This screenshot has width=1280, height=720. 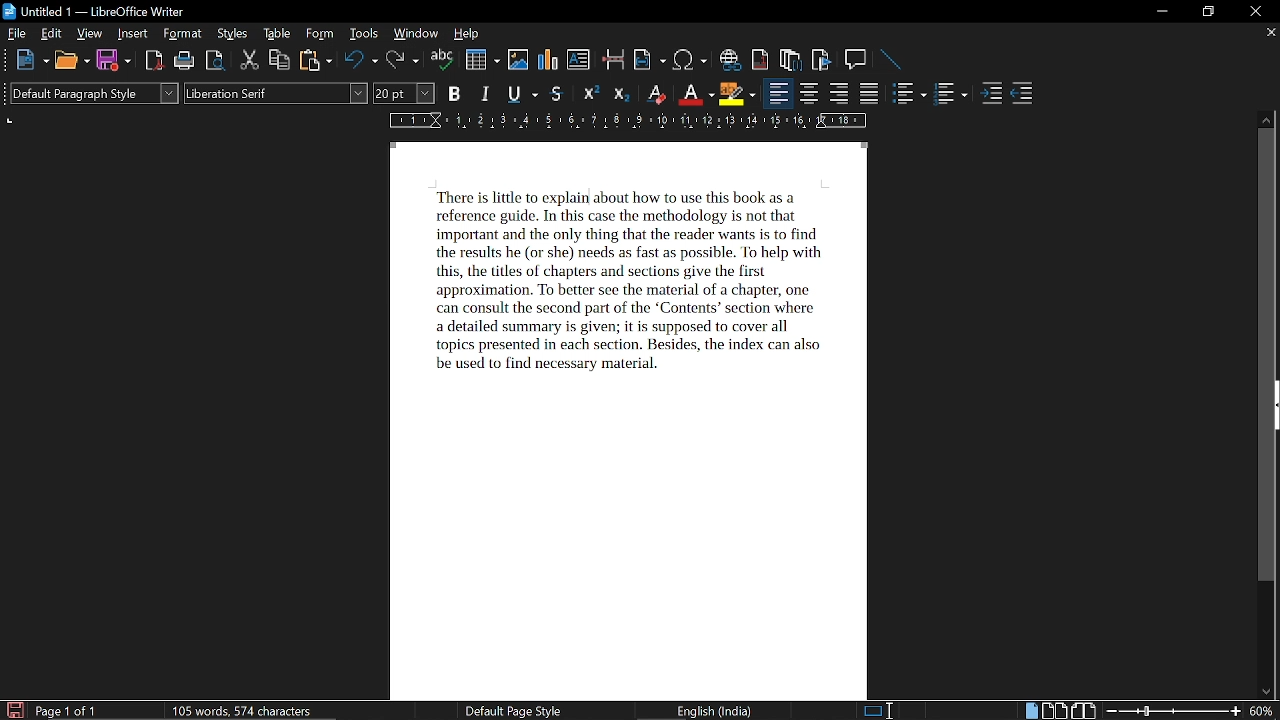 I want to click on bold, so click(x=455, y=94).